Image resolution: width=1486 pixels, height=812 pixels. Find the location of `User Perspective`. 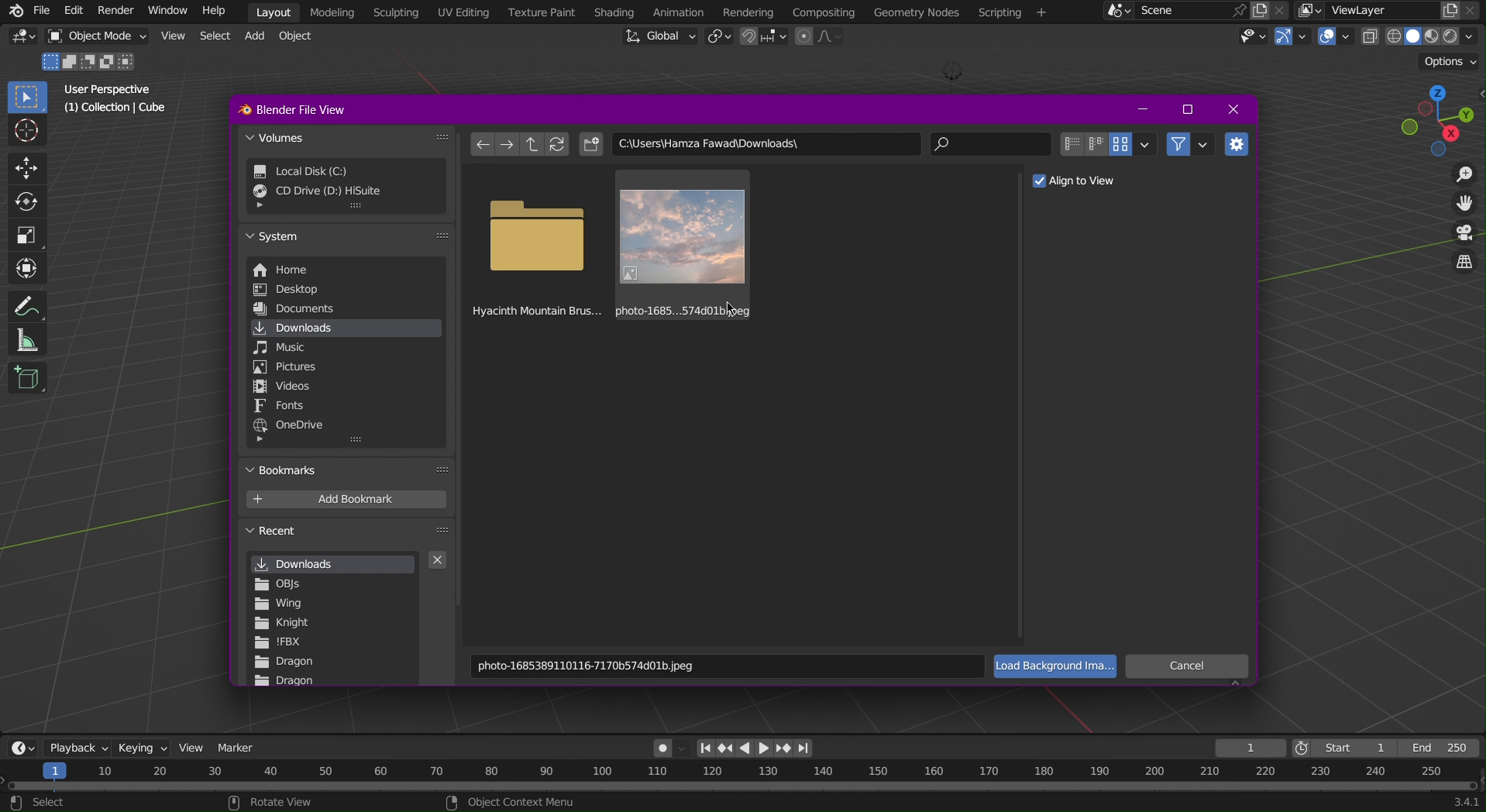

User Perspective is located at coordinates (110, 89).